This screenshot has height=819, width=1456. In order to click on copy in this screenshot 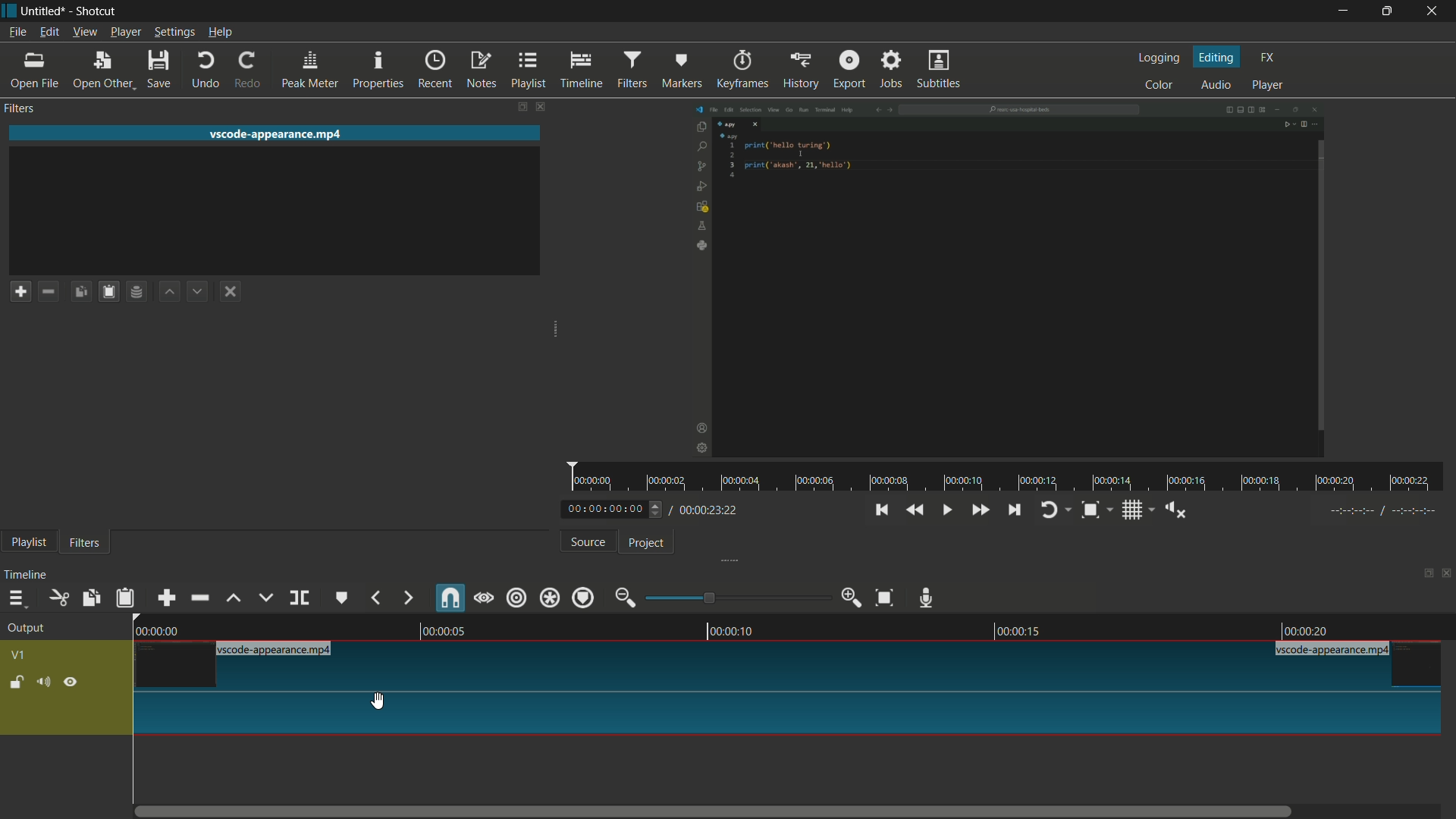, I will do `click(92, 598)`.